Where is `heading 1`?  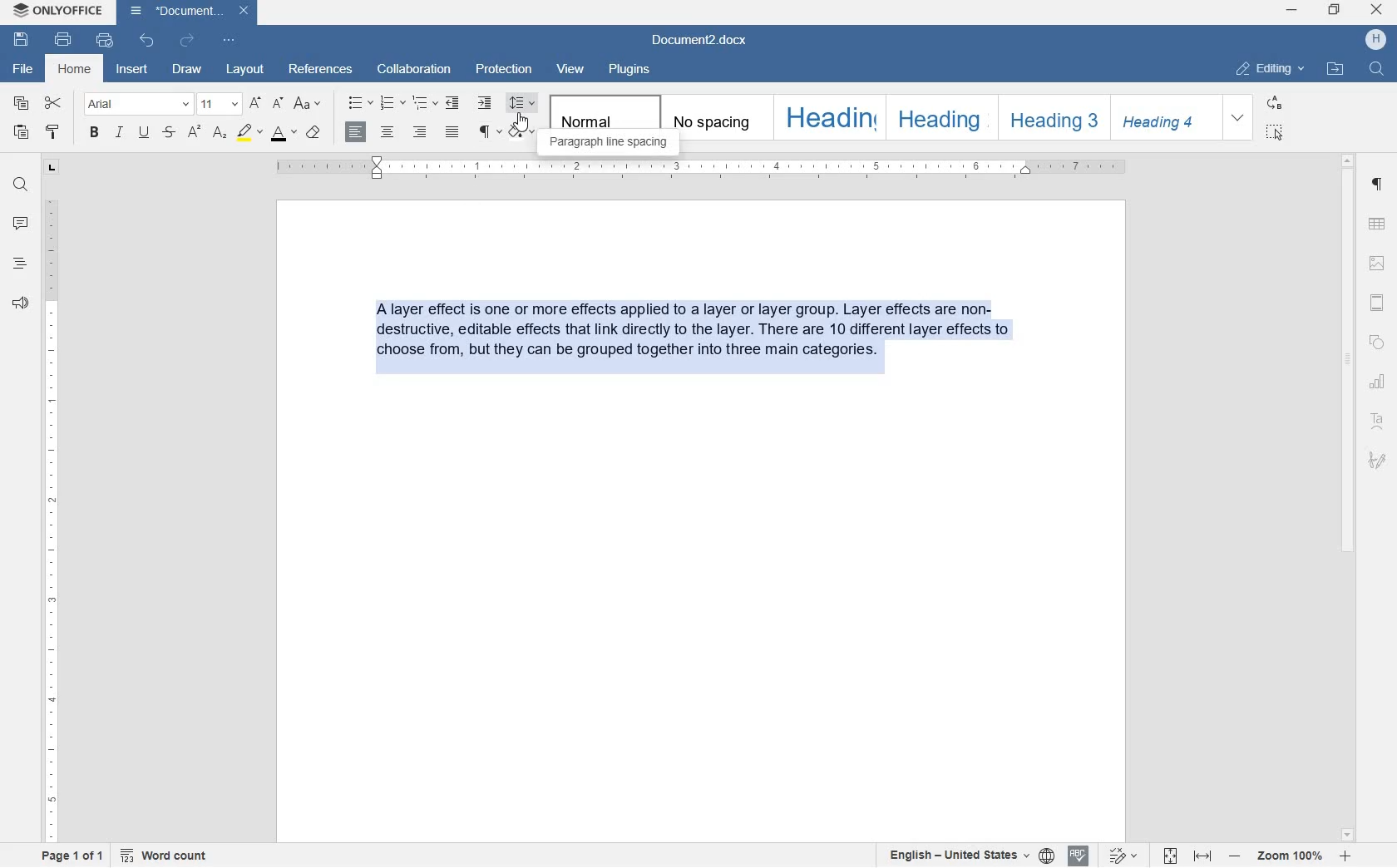 heading 1 is located at coordinates (827, 116).